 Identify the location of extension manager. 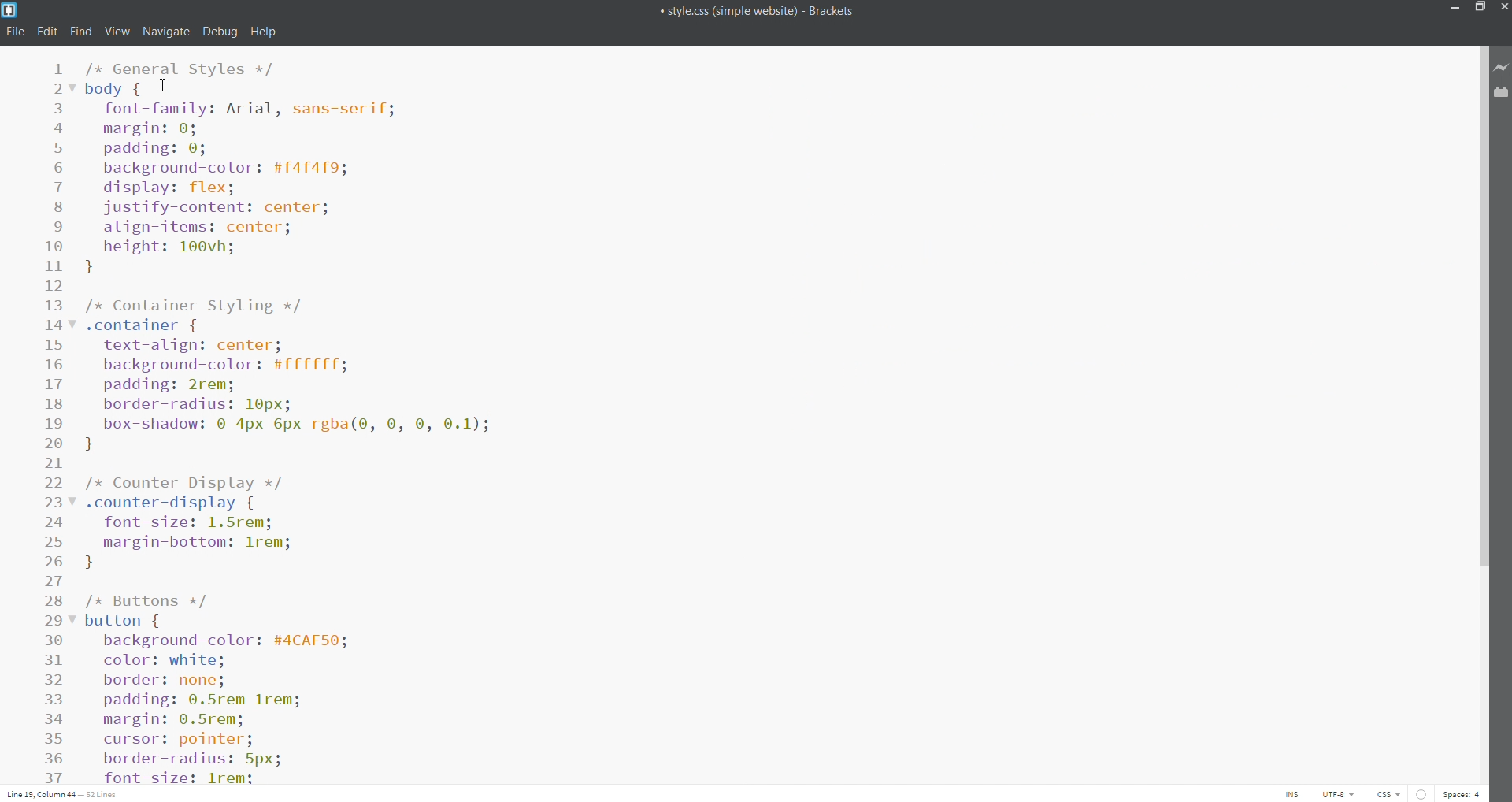
(1502, 94).